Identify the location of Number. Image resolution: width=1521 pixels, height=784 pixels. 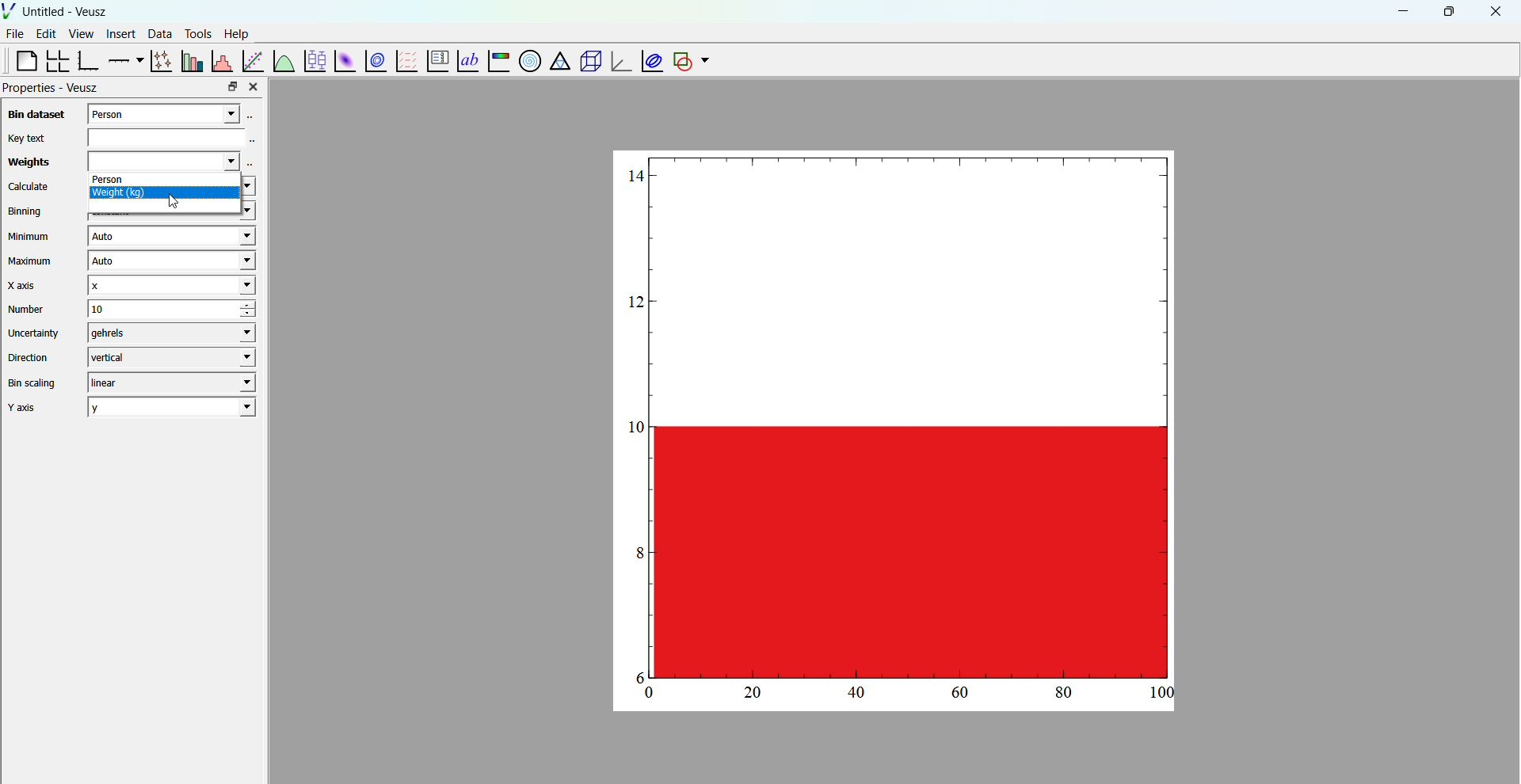
(27, 309).